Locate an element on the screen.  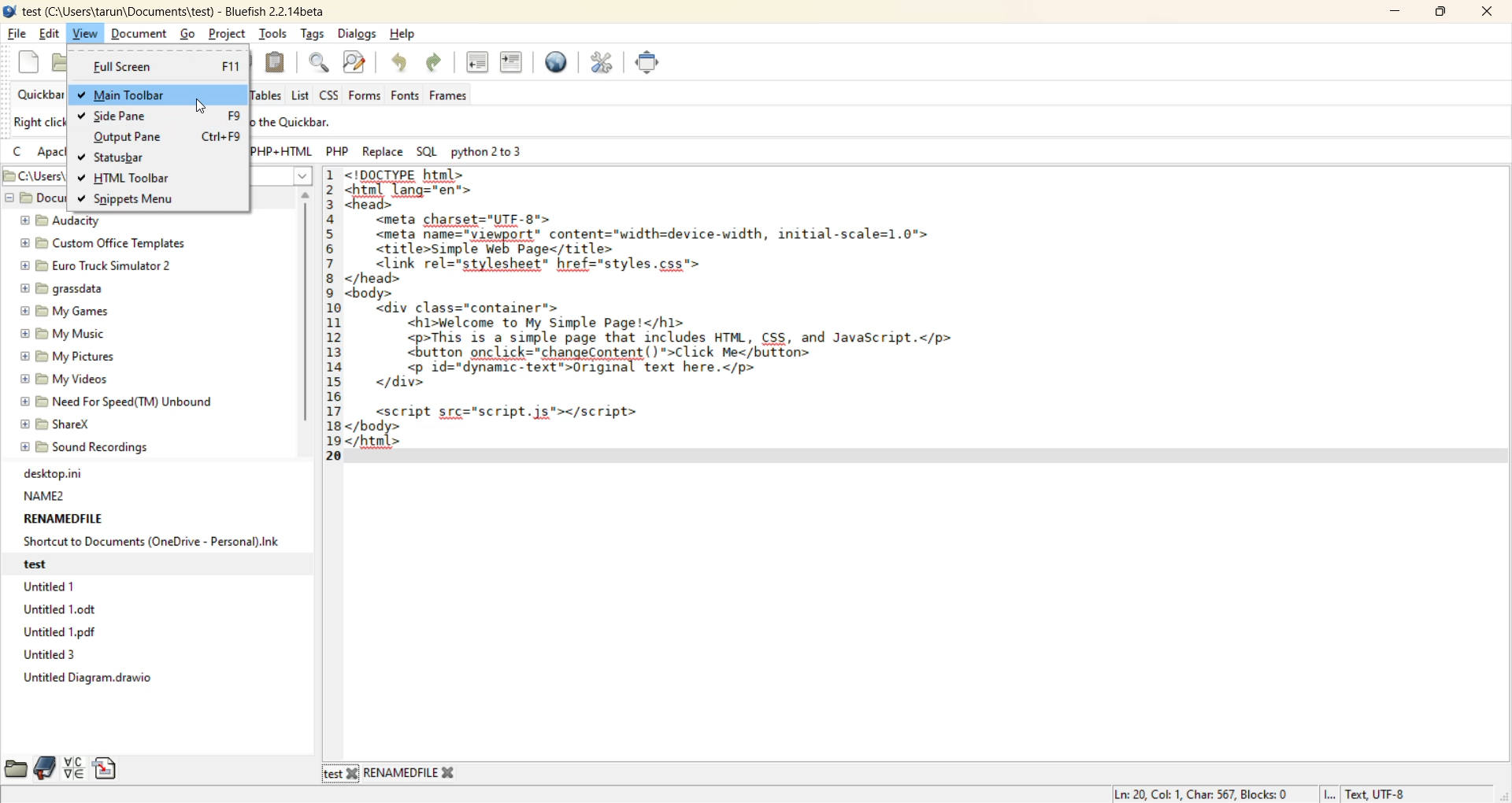
replace is located at coordinates (386, 154).